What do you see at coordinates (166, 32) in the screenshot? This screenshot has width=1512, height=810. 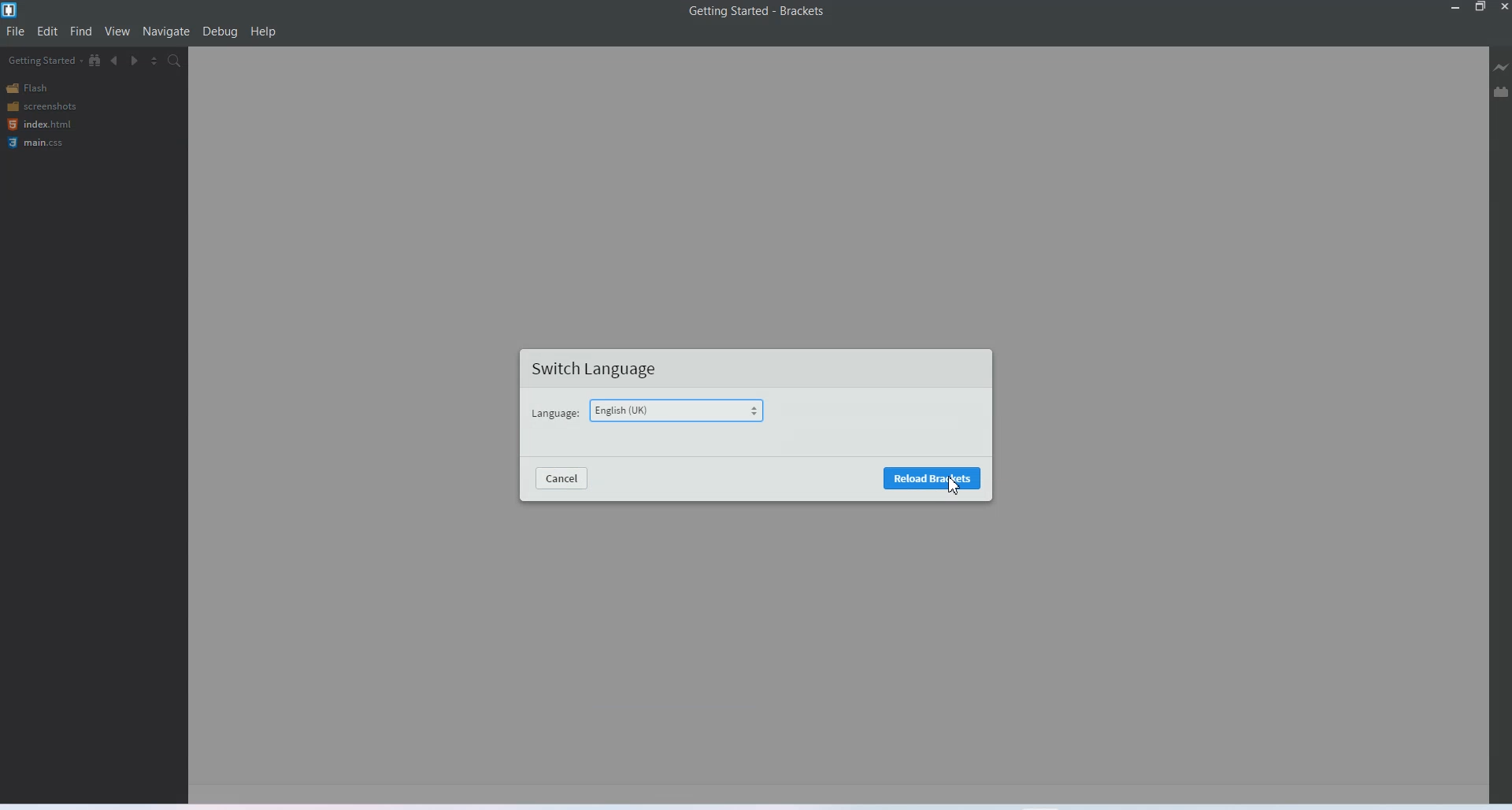 I see `Navigate` at bounding box center [166, 32].